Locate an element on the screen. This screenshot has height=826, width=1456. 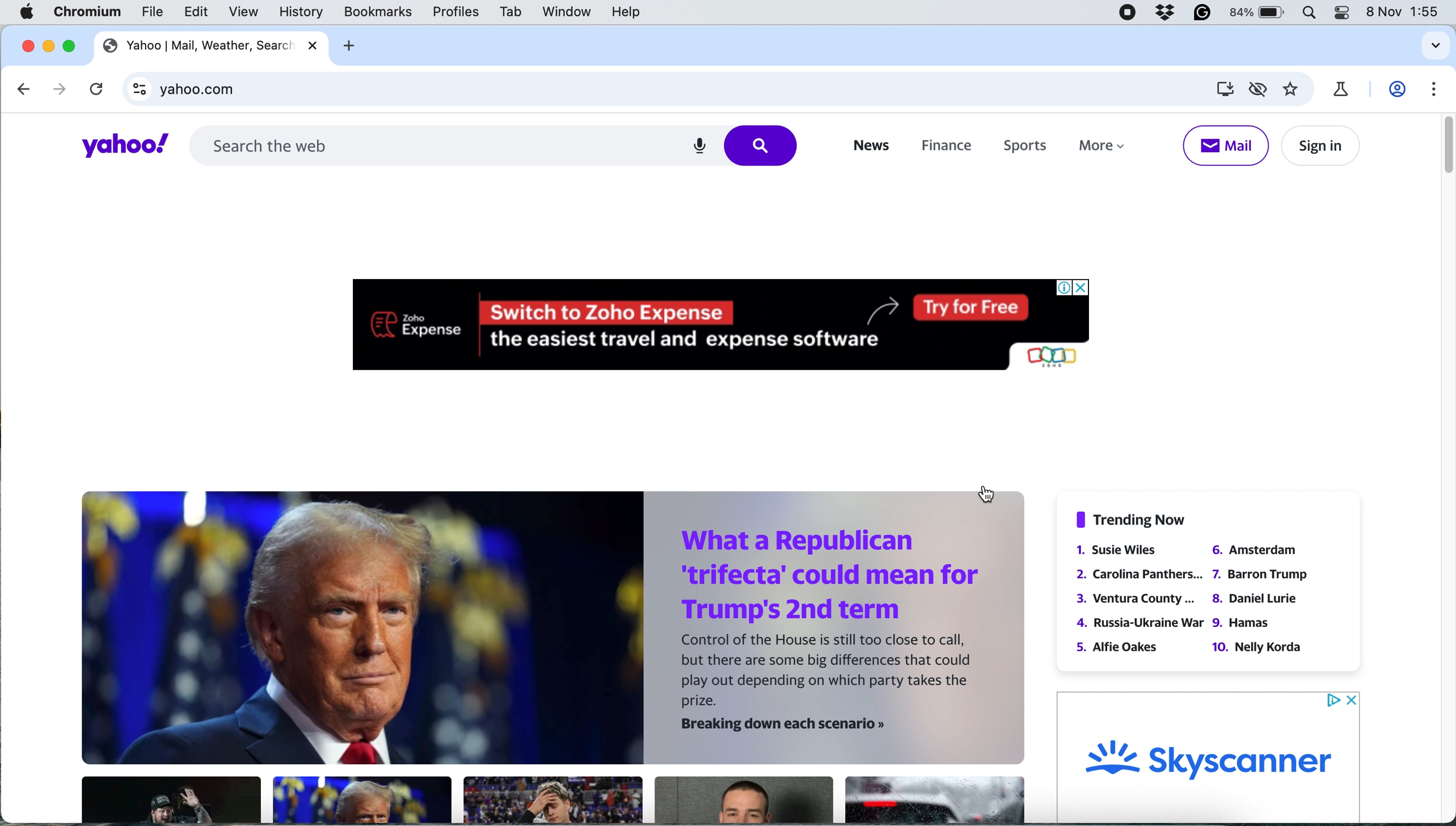
trending news is located at coordinates (1134, 519).